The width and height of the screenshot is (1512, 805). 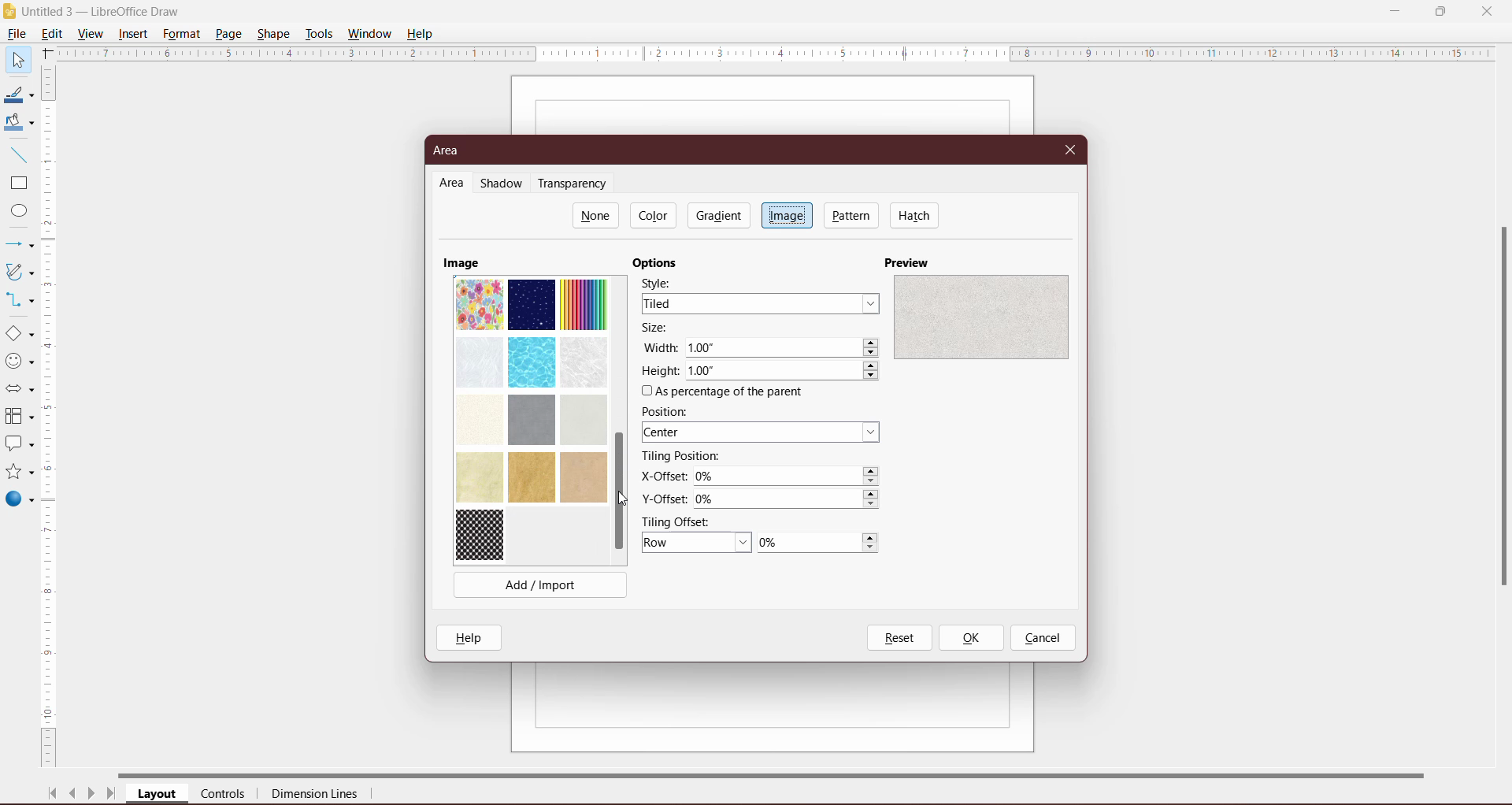 What do you see at coordinates (783, 348) in the screenshot?
I see `Select required width` at bounding box center [783, 348].